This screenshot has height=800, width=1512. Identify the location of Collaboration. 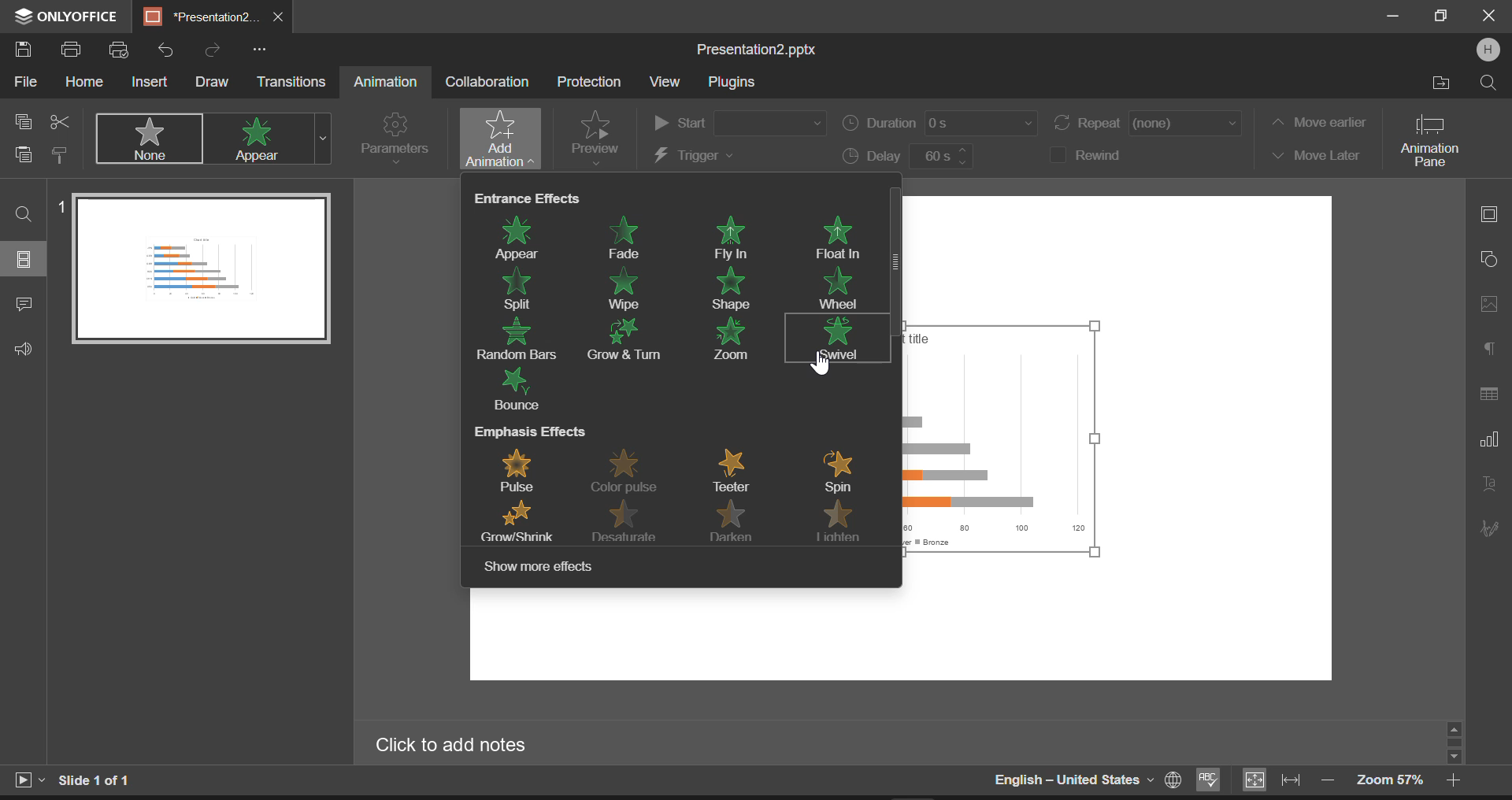
(487, 82).